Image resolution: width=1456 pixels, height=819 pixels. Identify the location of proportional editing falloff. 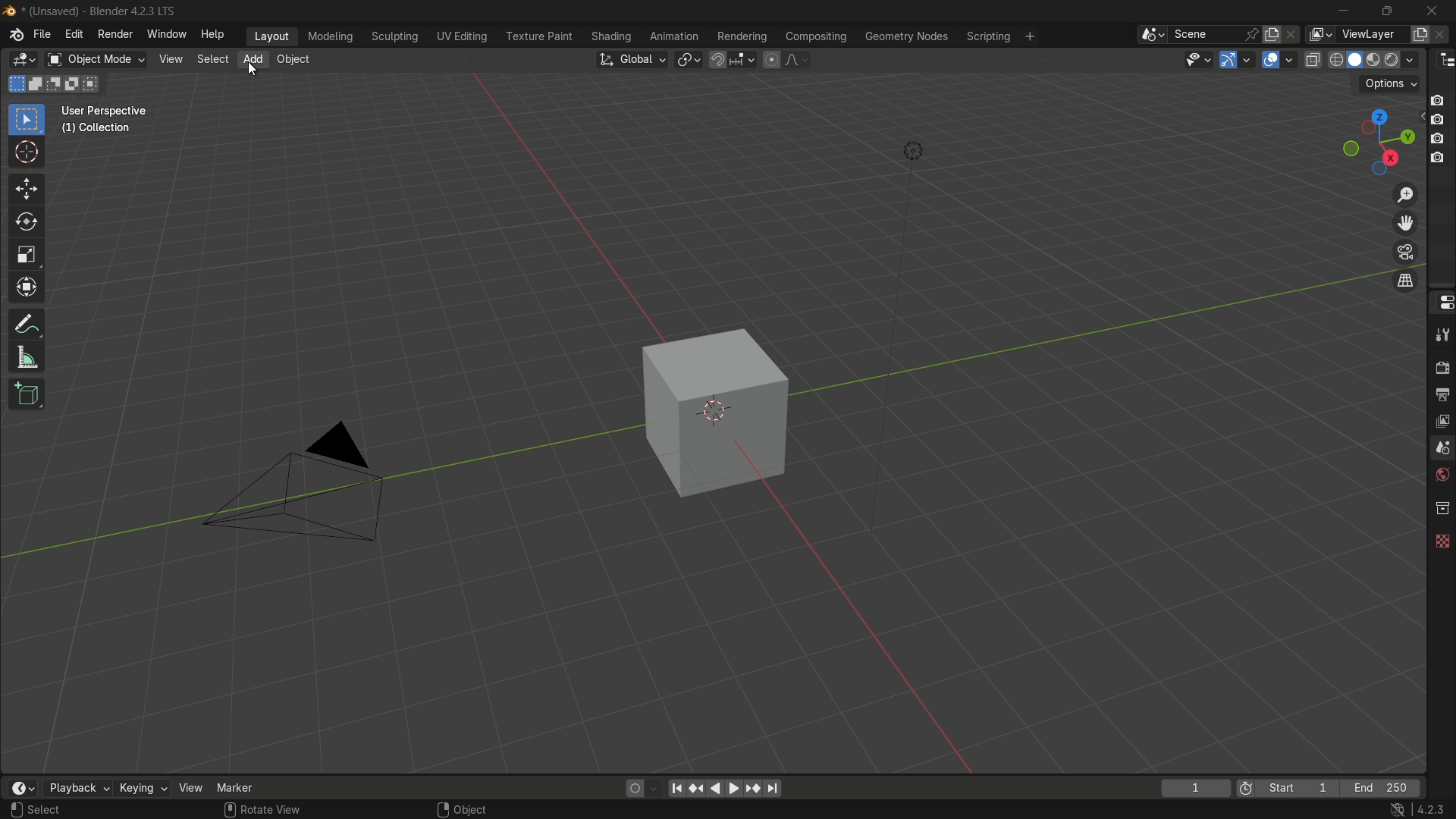
(796, 60).